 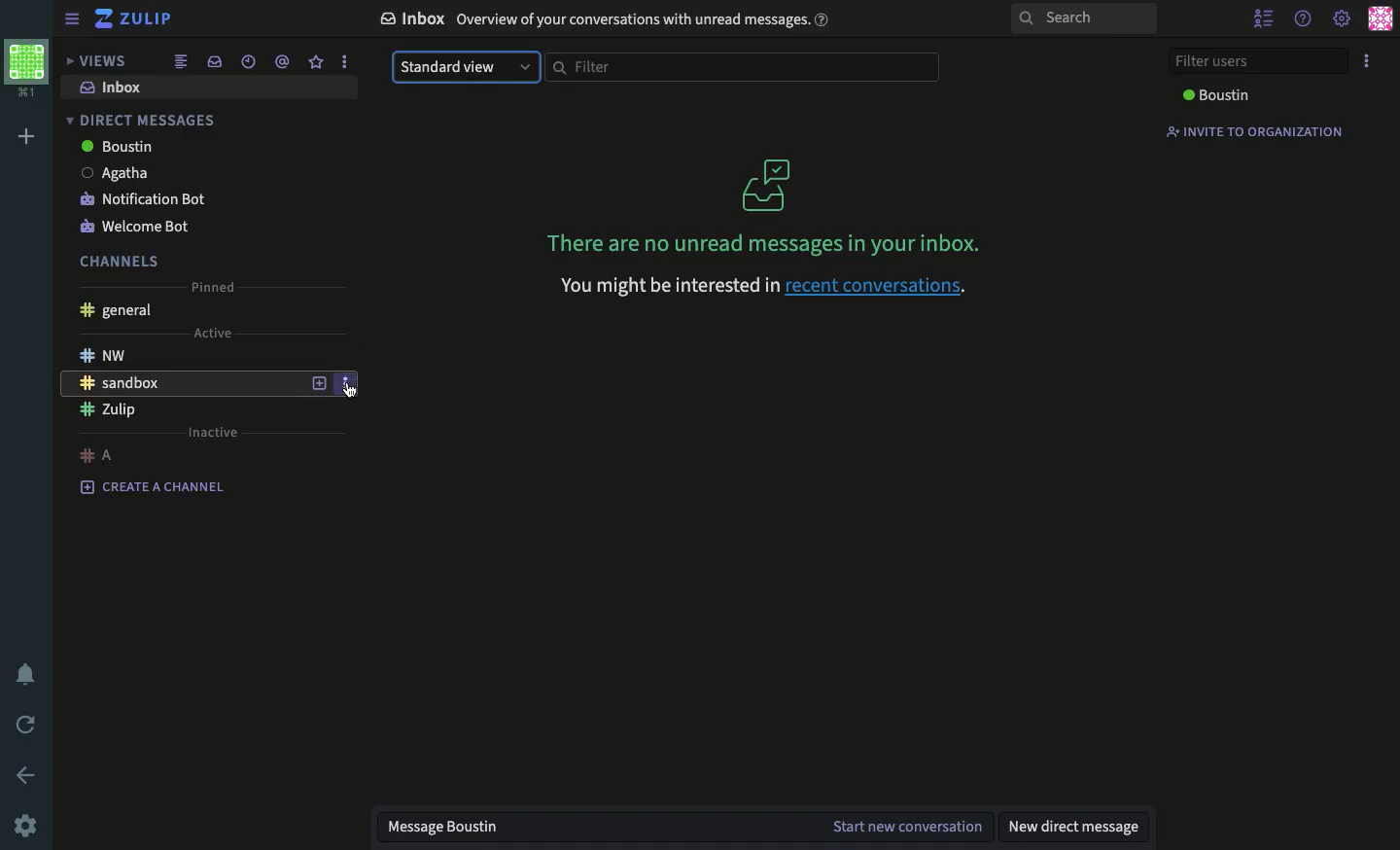 What do you see at coordinates (133, 18) in the screenshot?
I see `Zulip` at bounding box center [133, 18].